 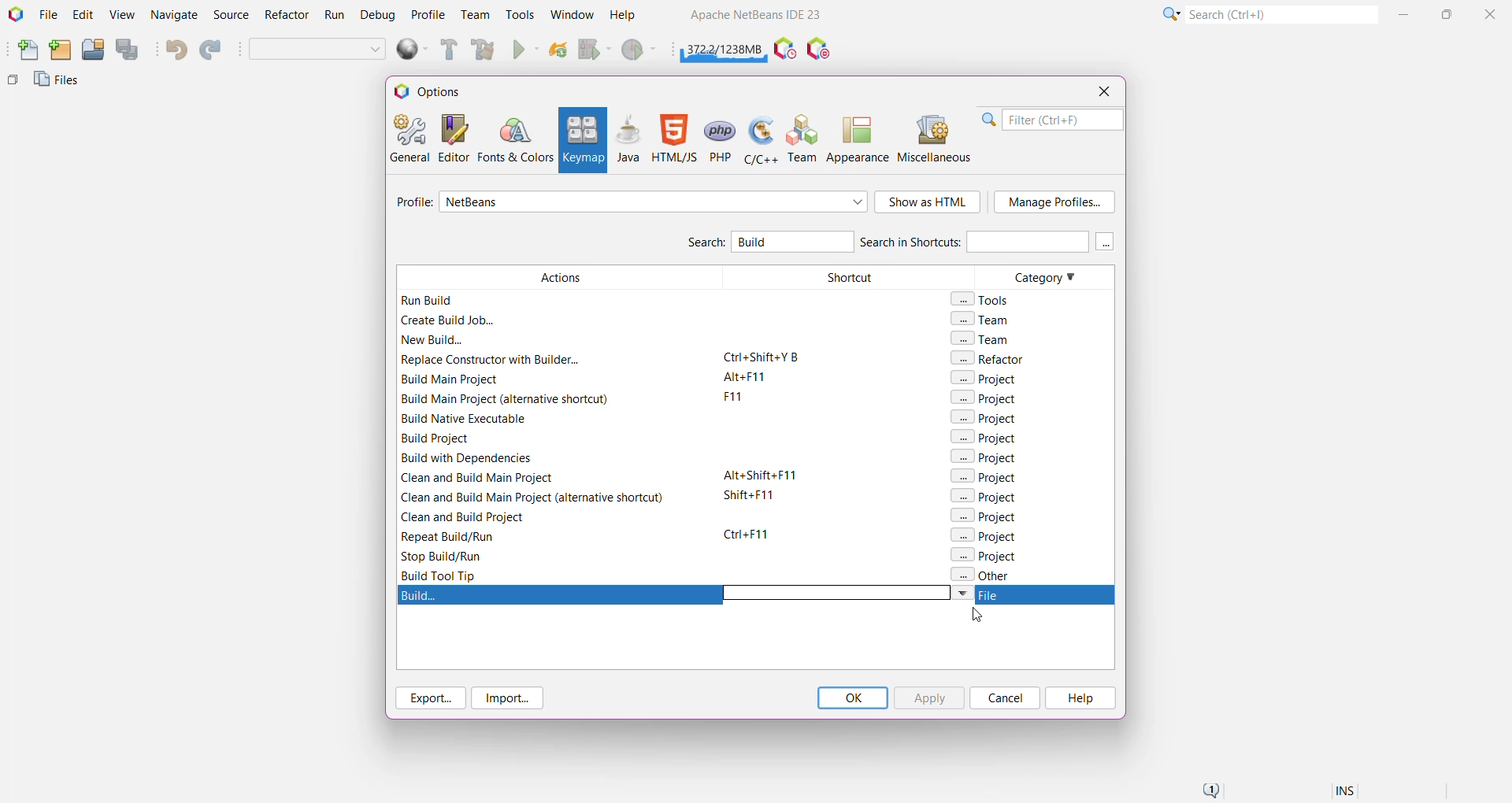 I want to click on Set Project Configuration, so click(x=318, y=50).